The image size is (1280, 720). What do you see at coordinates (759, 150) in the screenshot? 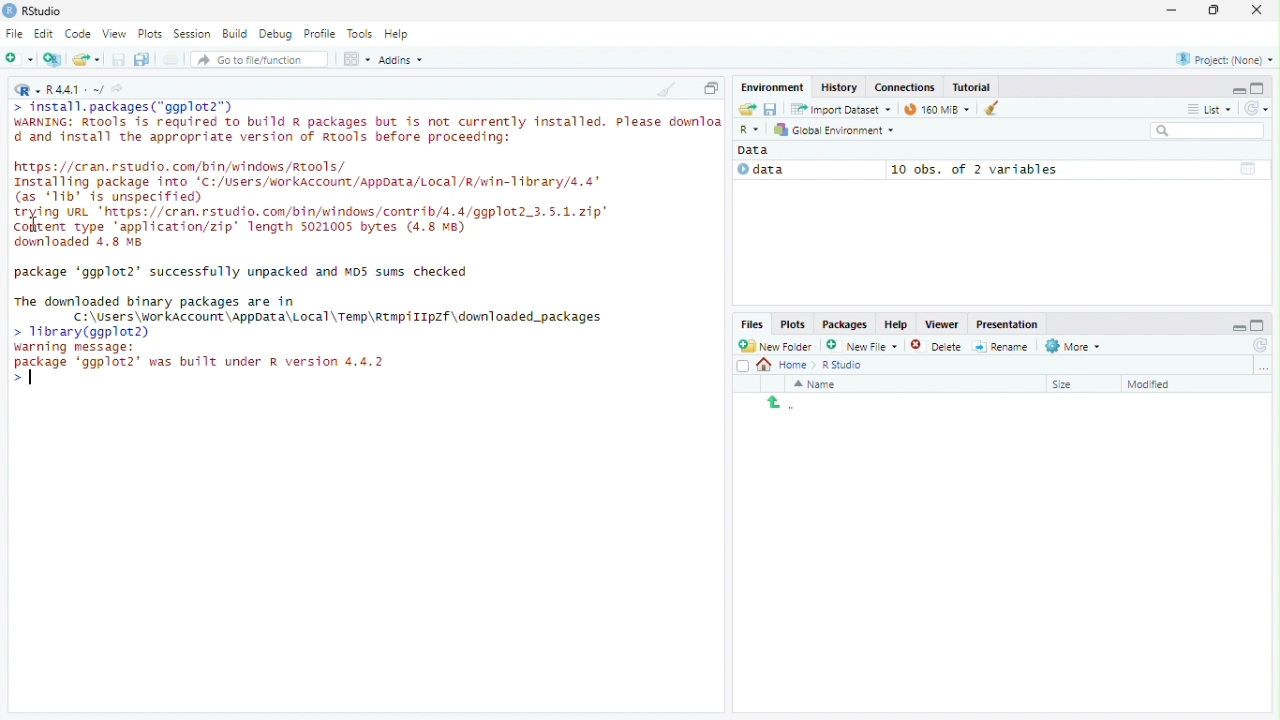
I see `Data` at bounding box center [759, 150].